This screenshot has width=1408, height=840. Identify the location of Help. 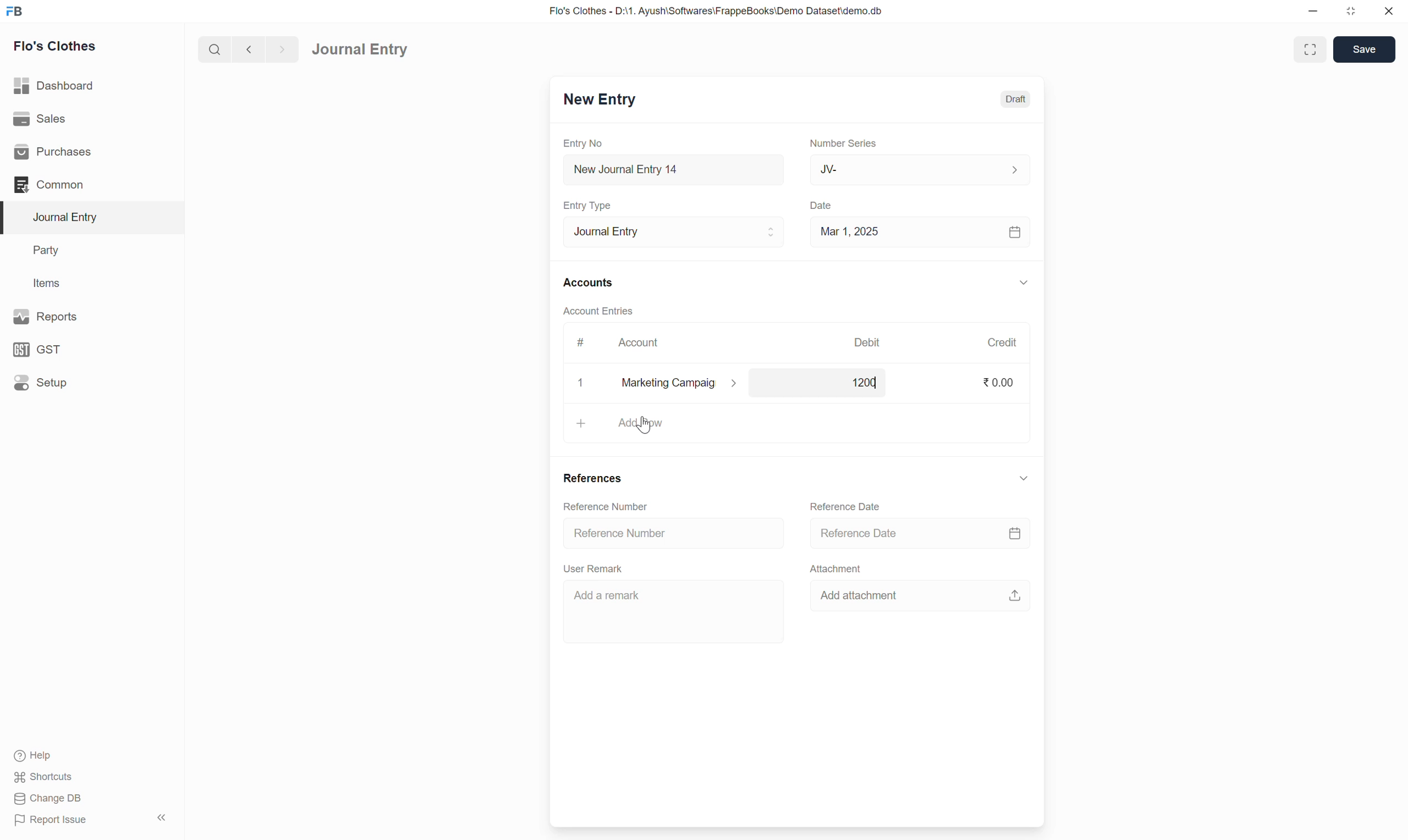
(36, 756).